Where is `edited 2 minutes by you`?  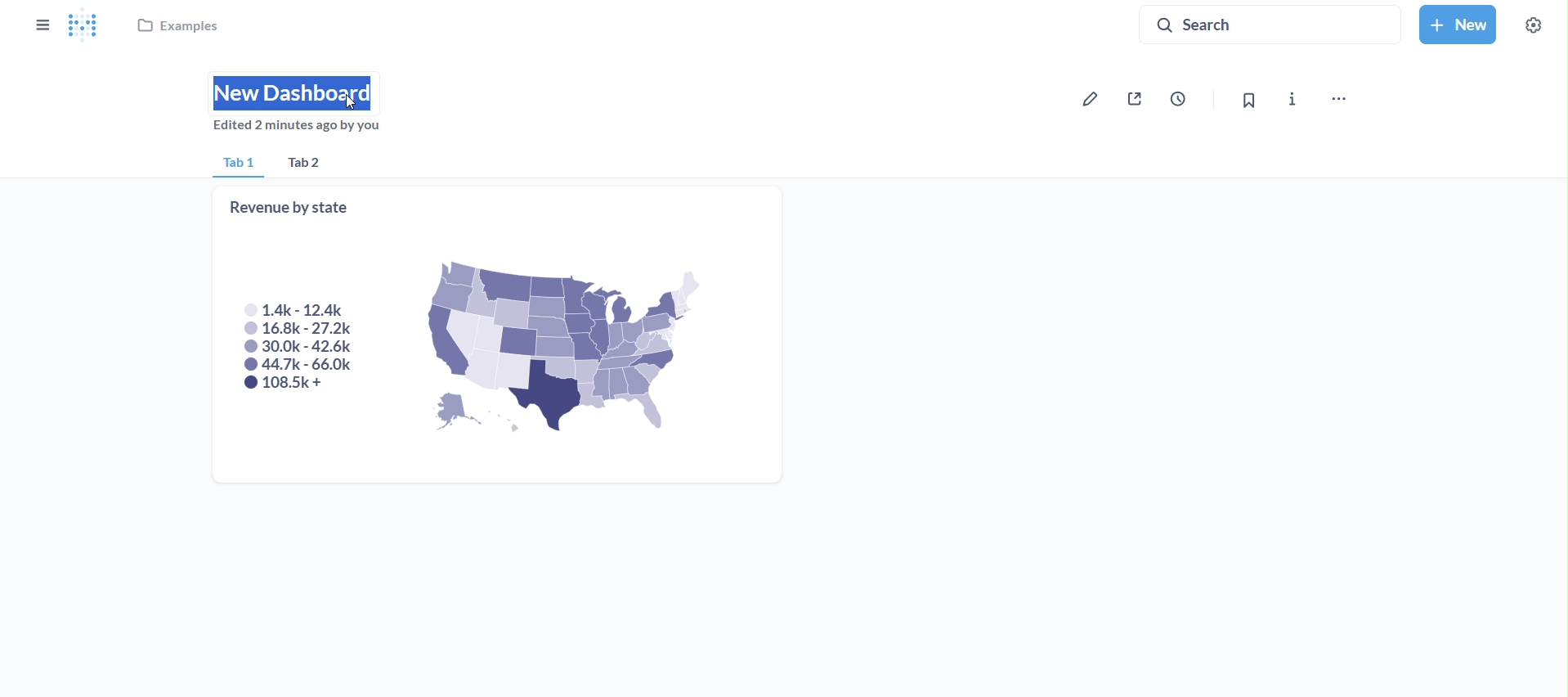 edited 2 minutes by you is located at coordinates (302, 129).